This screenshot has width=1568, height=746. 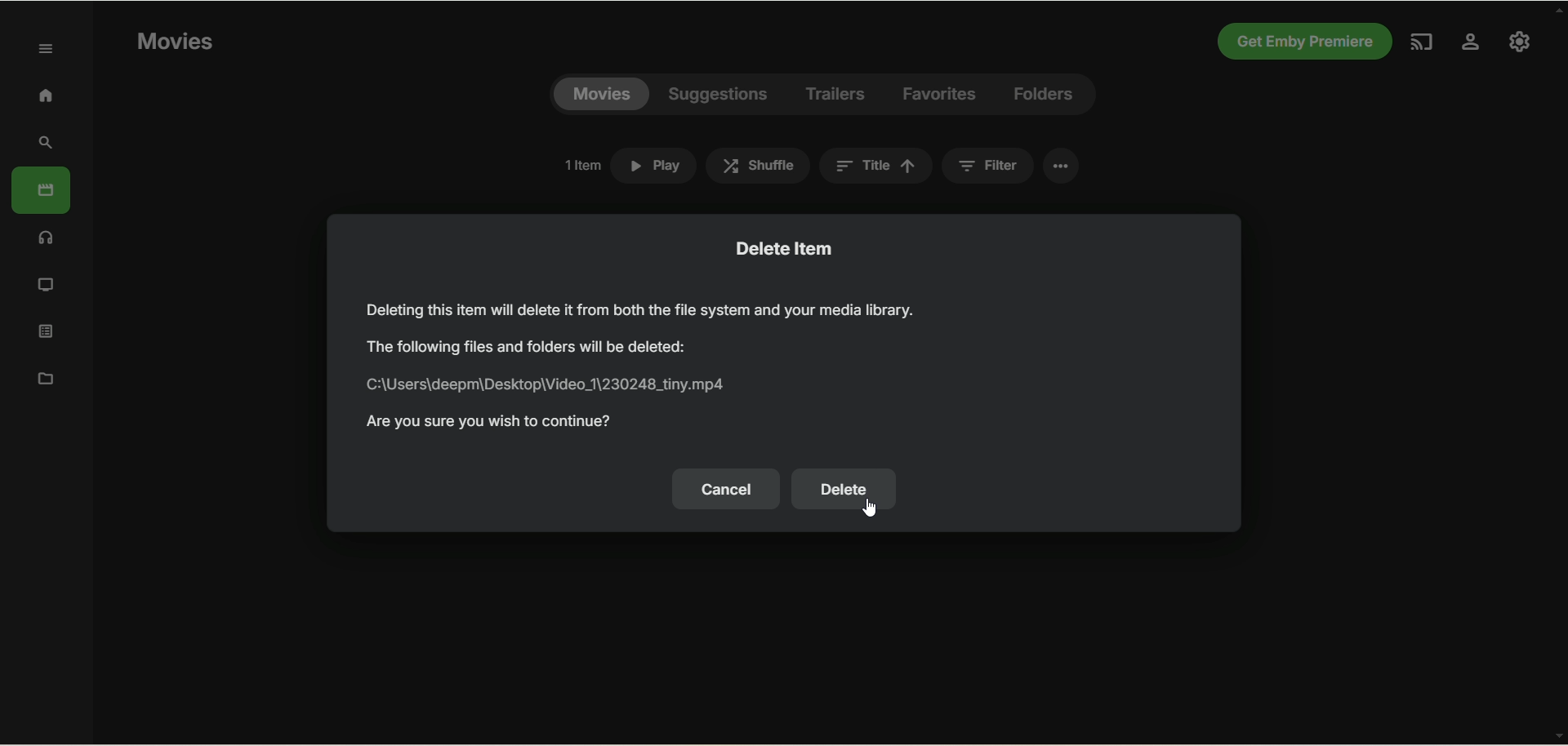 I want to click on delete item, so click(x=786, y=247).